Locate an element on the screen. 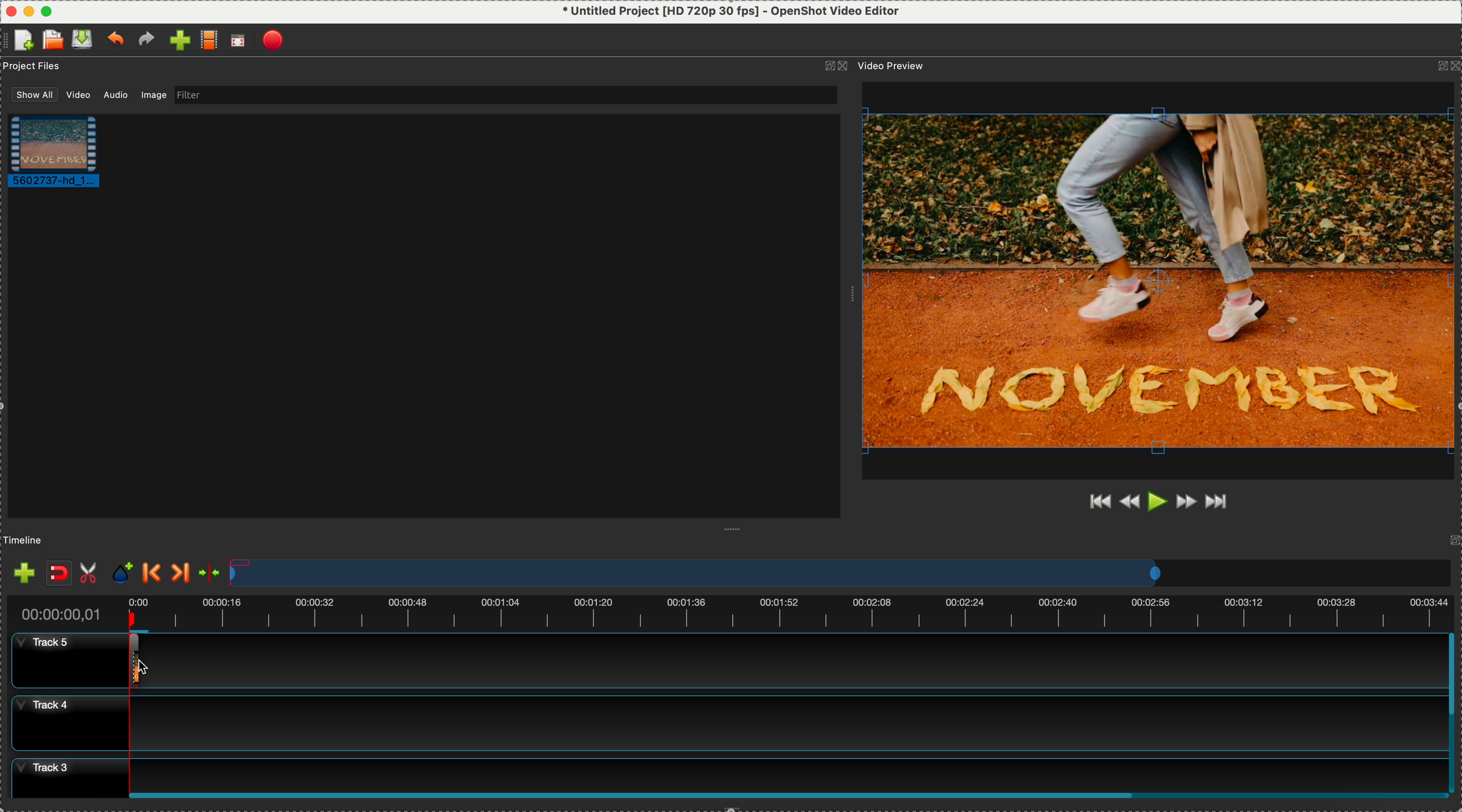 The image size is (1462, 812). minimize is located at coordinates (28, 10).